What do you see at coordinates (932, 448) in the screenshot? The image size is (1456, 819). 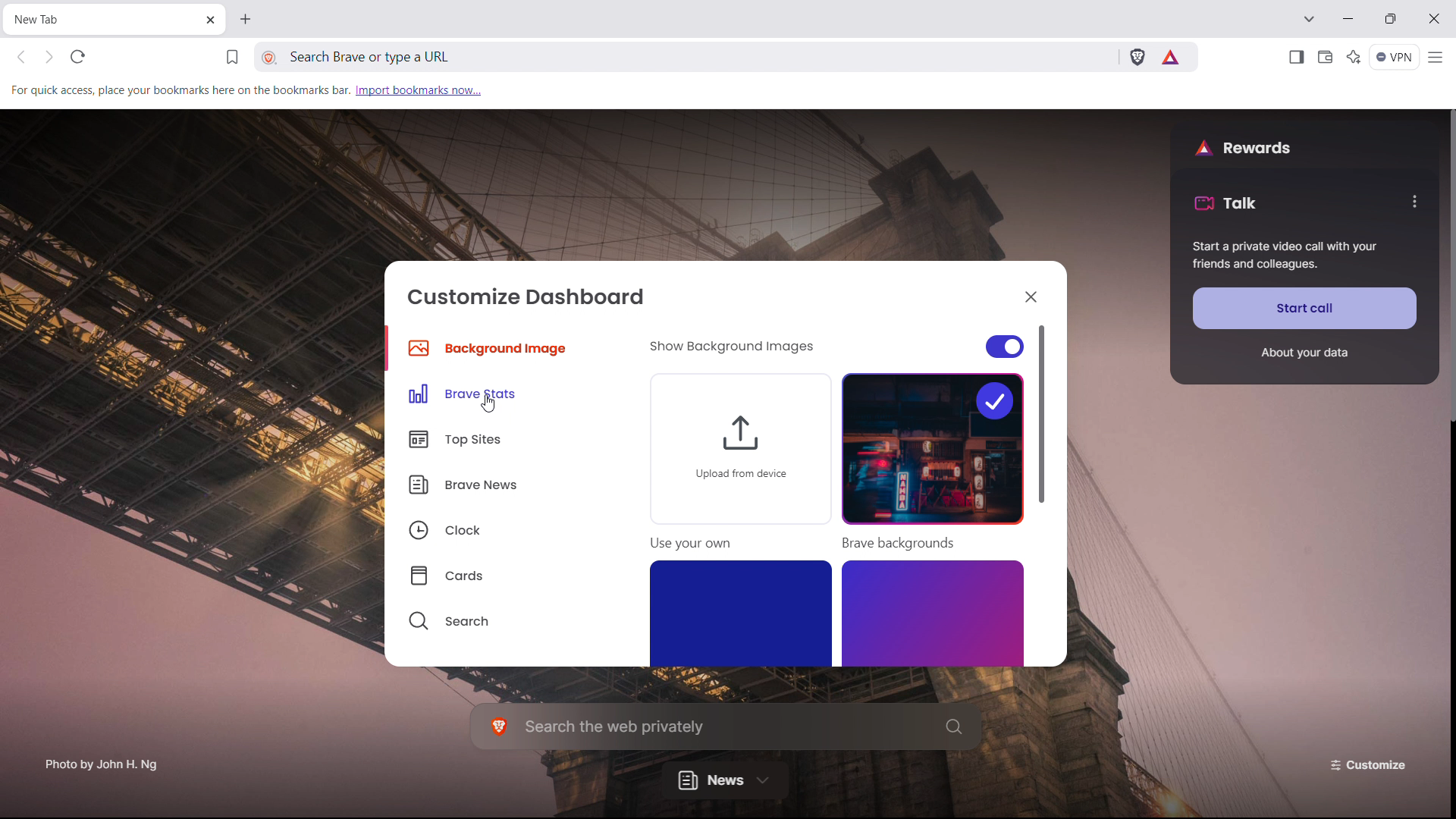 I see `selected background` at bounding box center [932, 448].